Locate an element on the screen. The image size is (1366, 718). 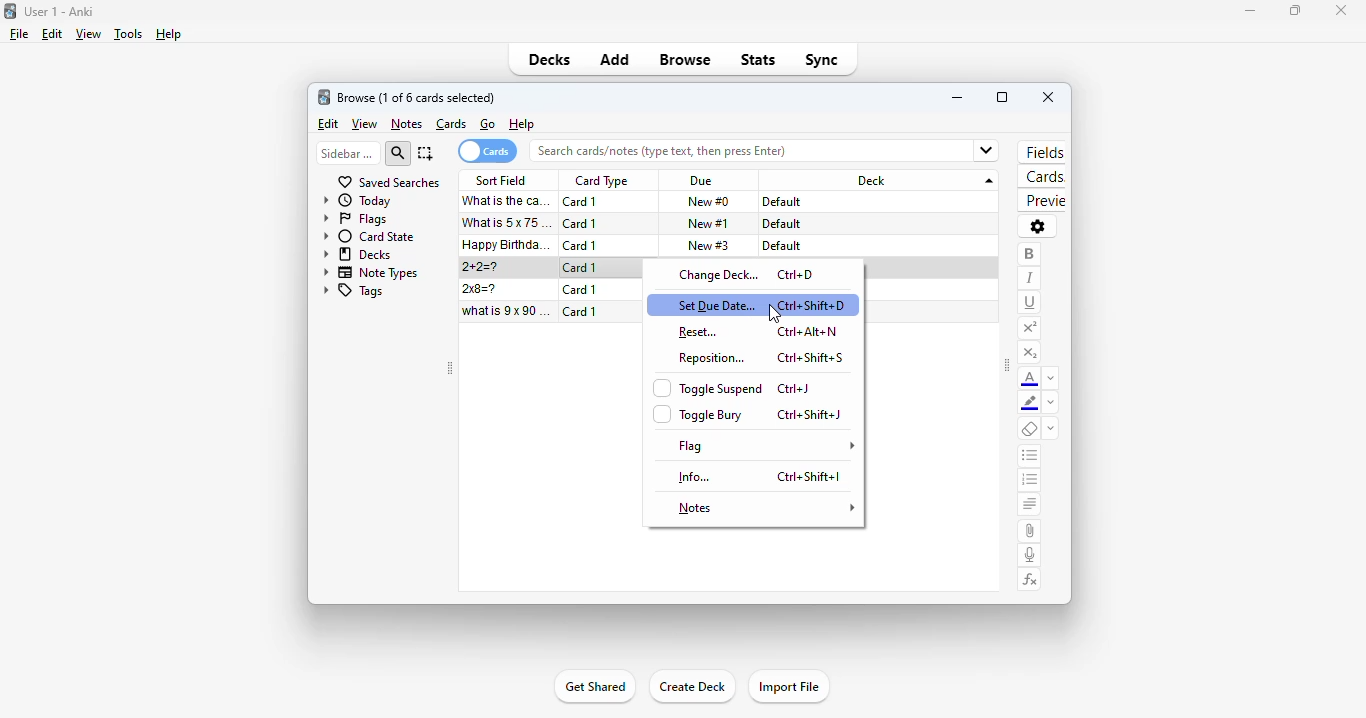
text color is located at coordinates (1030, 379).